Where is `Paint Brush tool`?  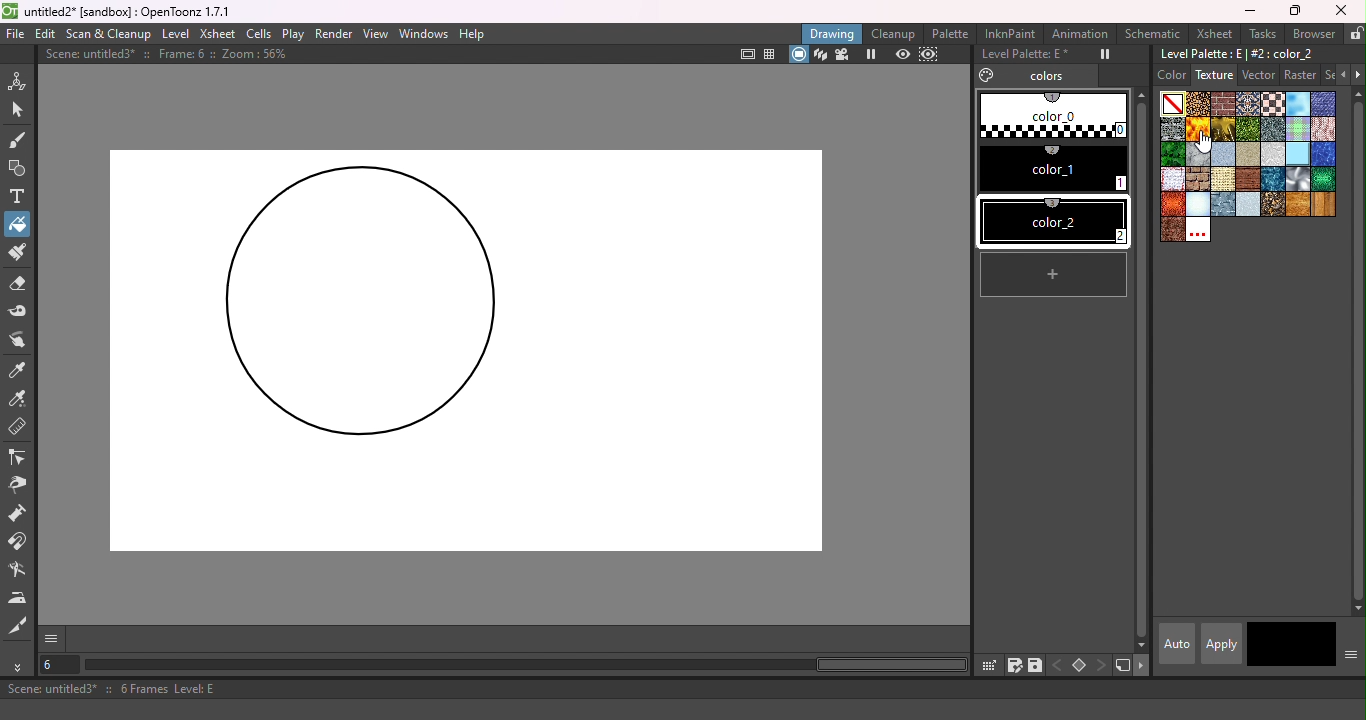 Paint Brush tool is located at coordinates (20, 254).